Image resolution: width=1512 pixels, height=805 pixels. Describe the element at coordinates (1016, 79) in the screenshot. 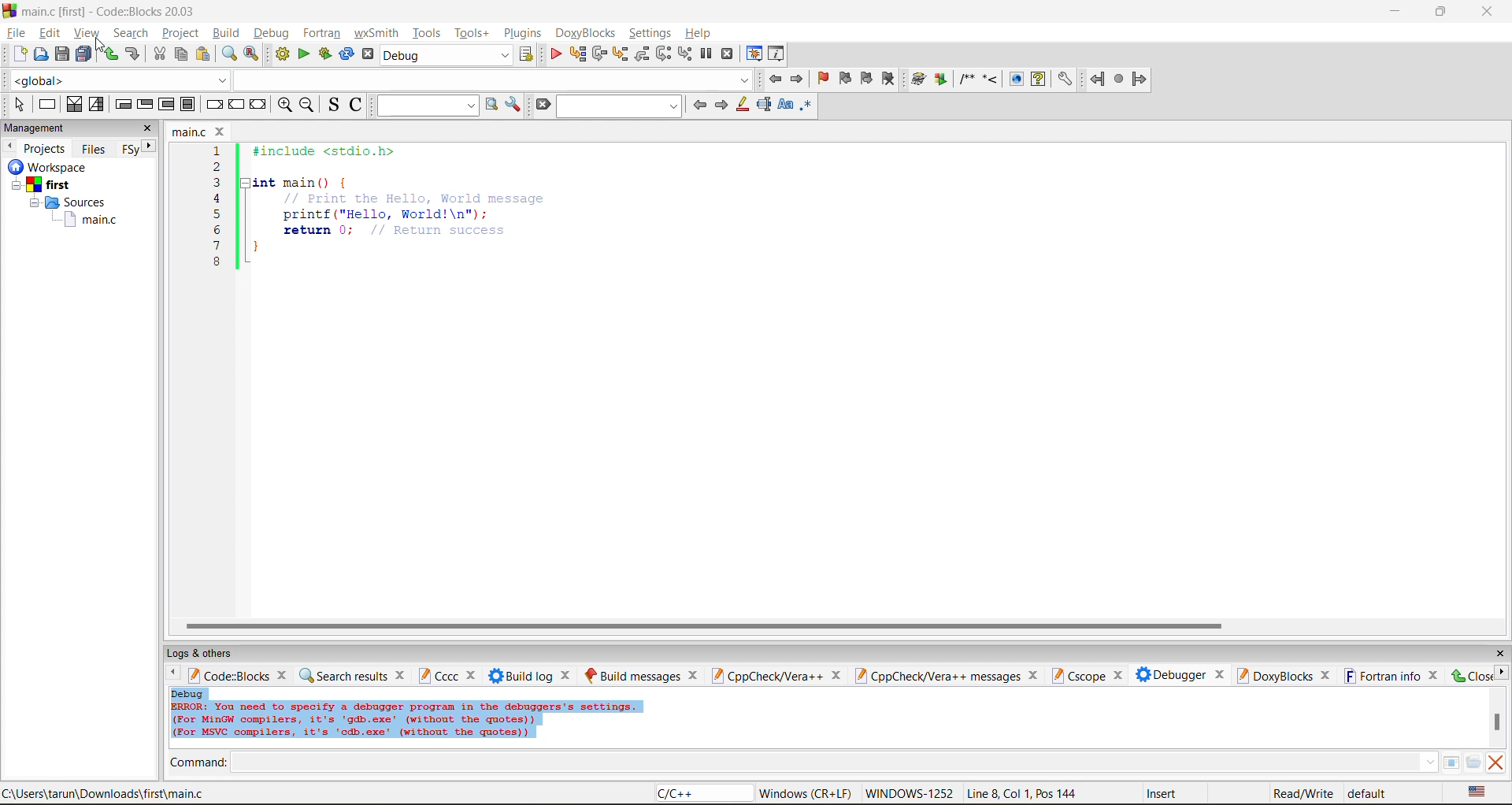

I see `HTML` at that location.